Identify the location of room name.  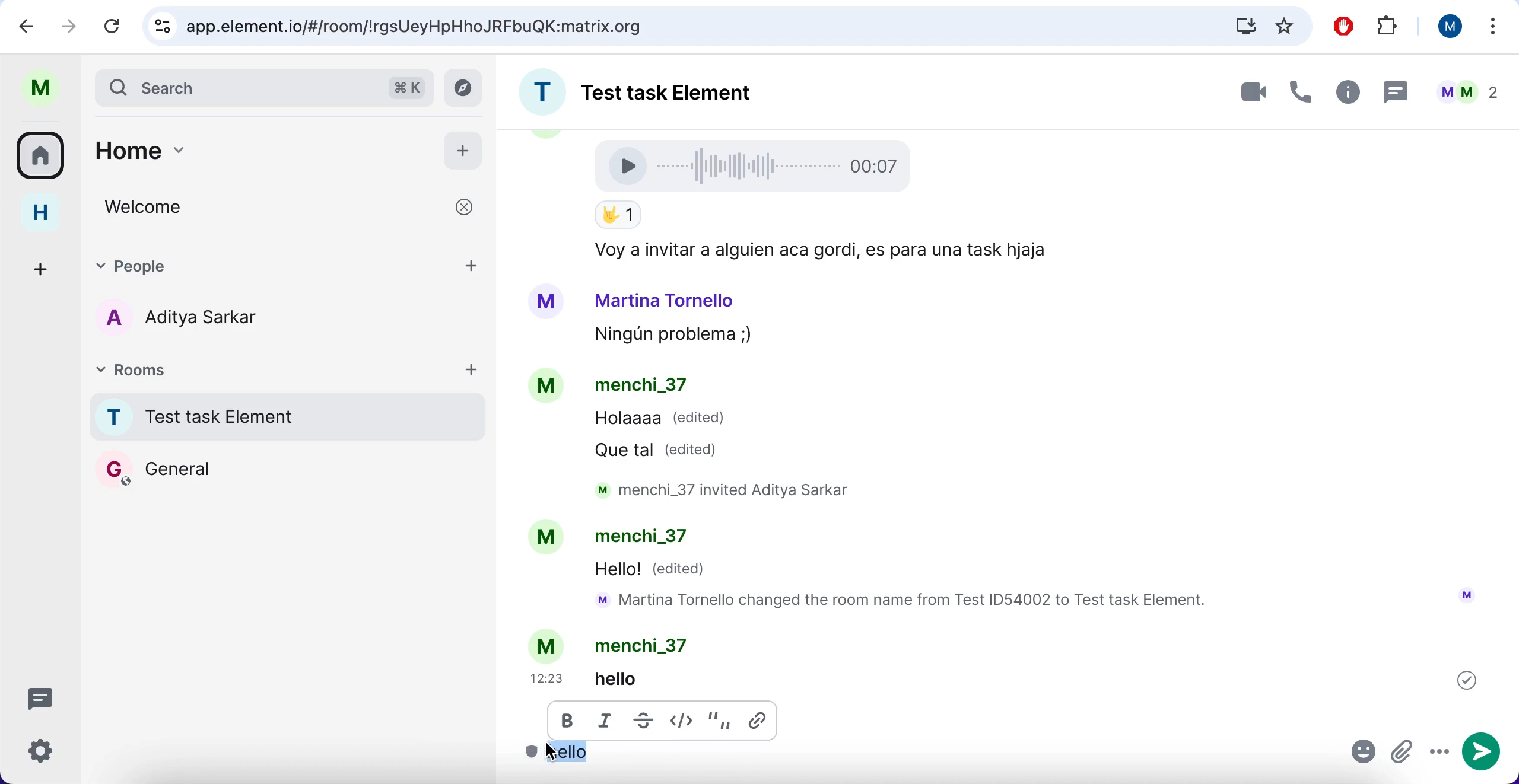
(284, 416).